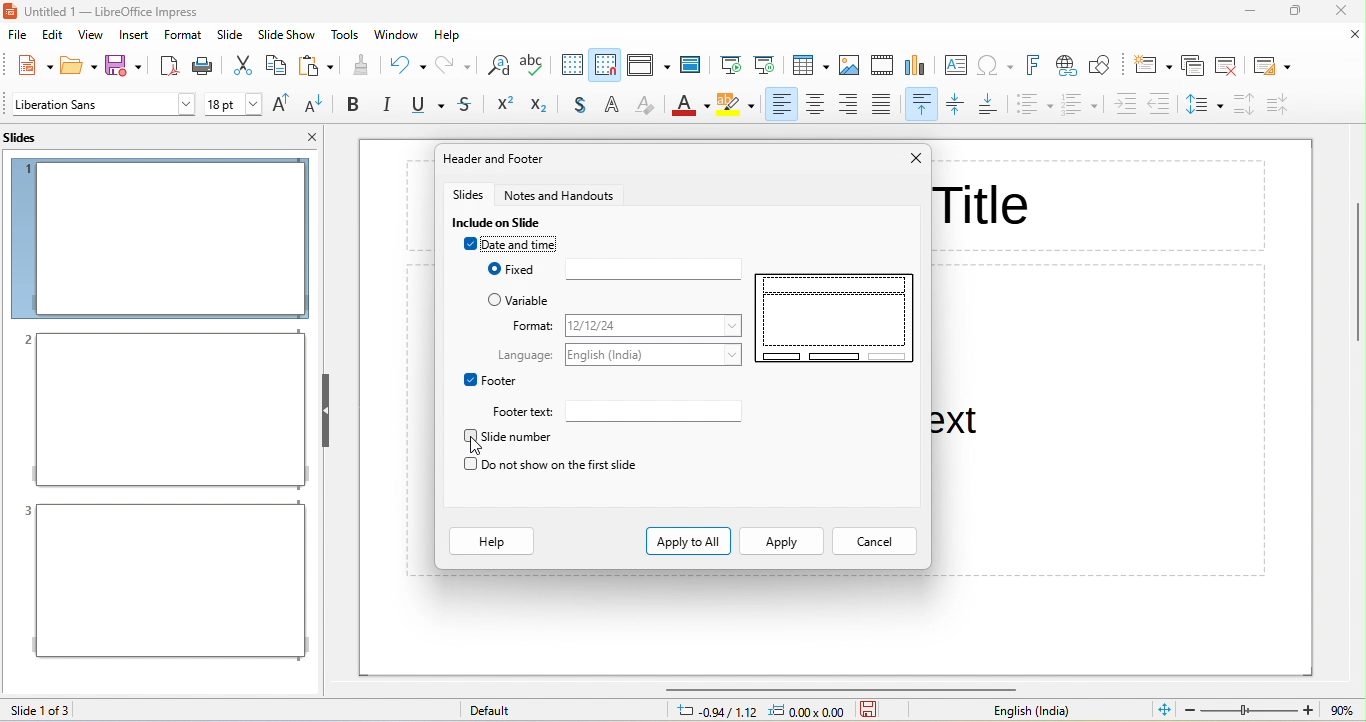  What do you see at coordinates (1355, 272) in the screenshot?
I see `vertical scroll bar` at bounding box center [1355, 272].